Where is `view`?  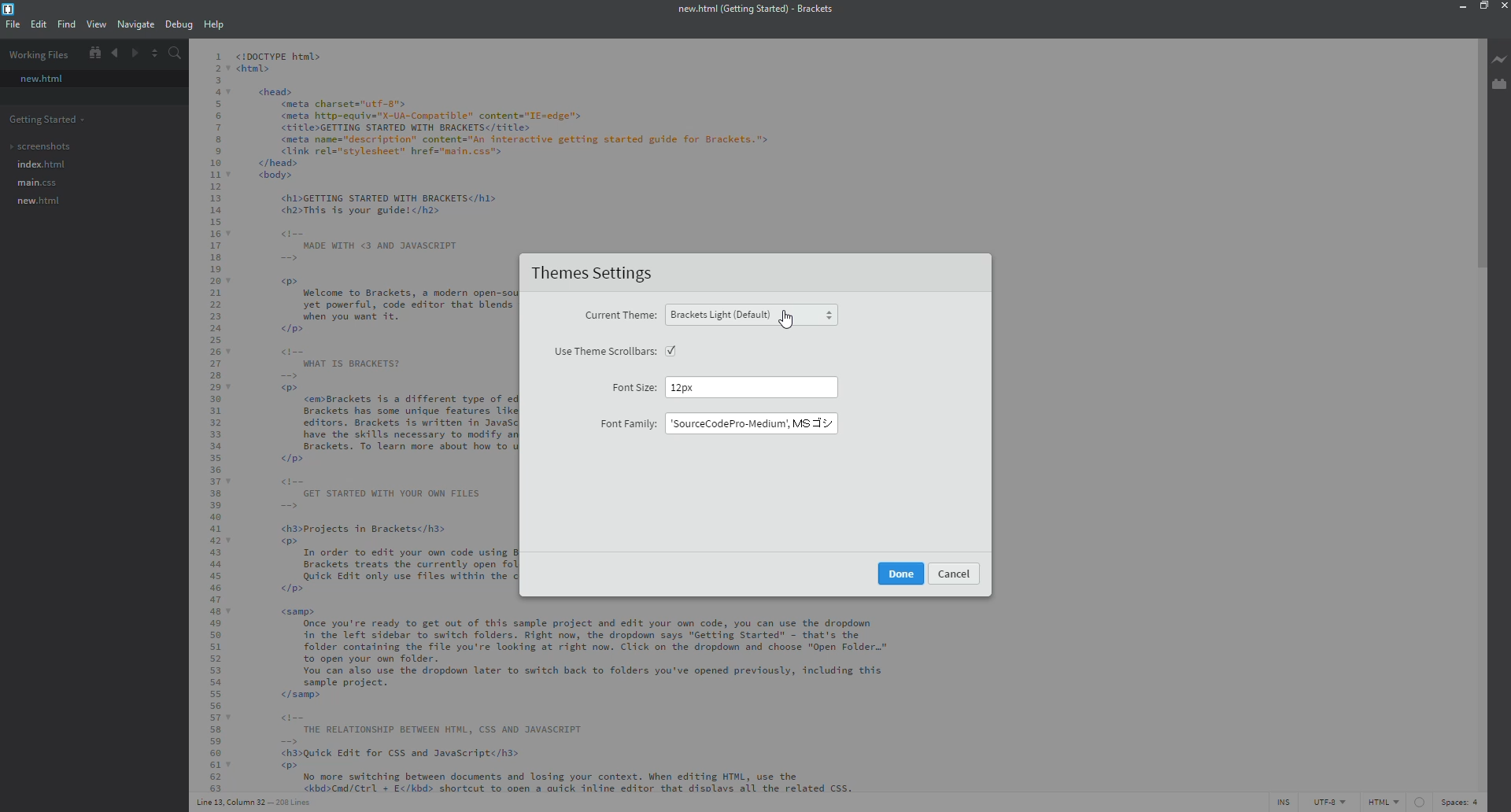 view is located at coordinates (97, 24).